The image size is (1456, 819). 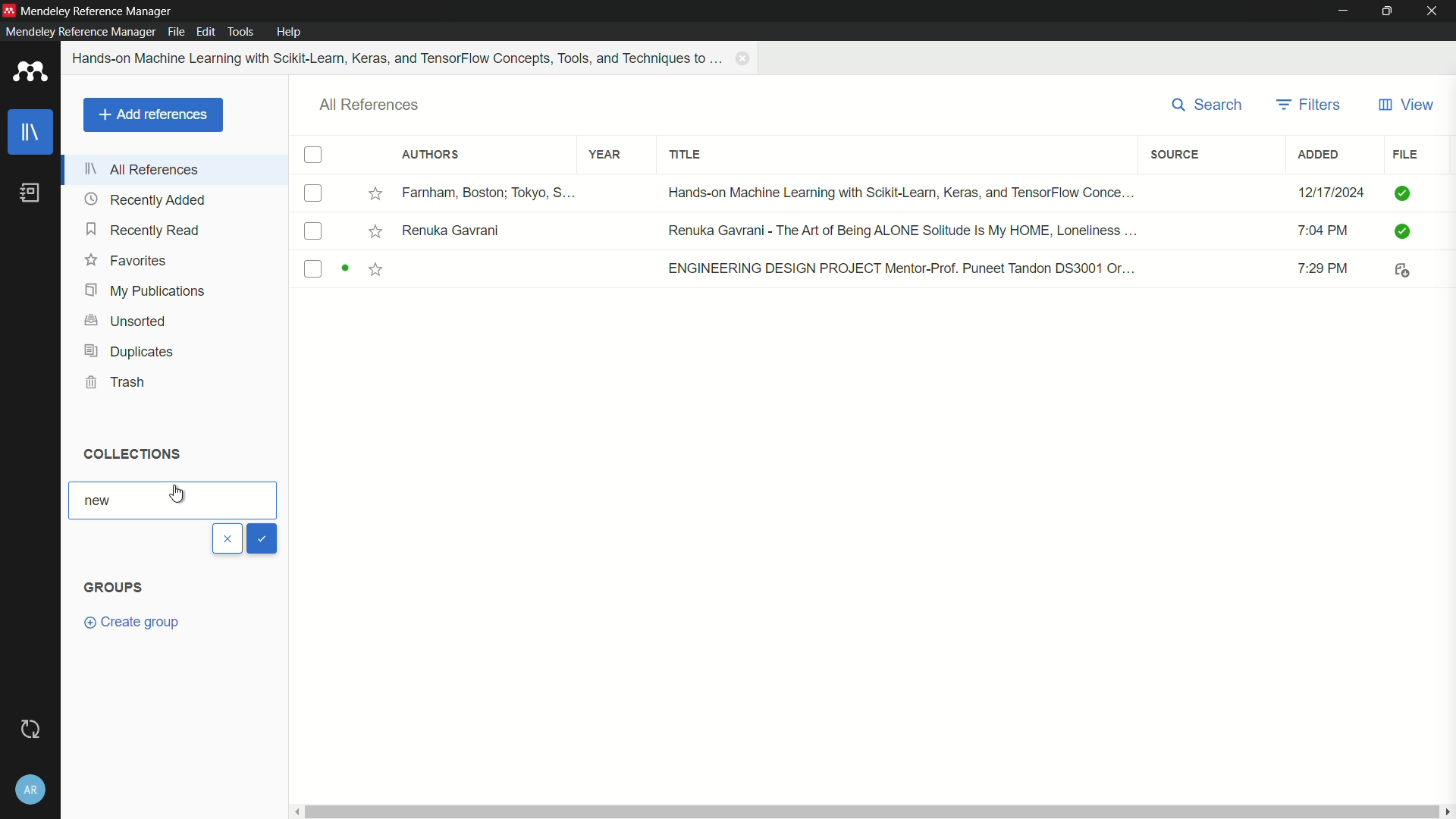 What do you see at coordinates (152, 115) in the screenshot?
I see `add references` at bounding box center [152, 115].